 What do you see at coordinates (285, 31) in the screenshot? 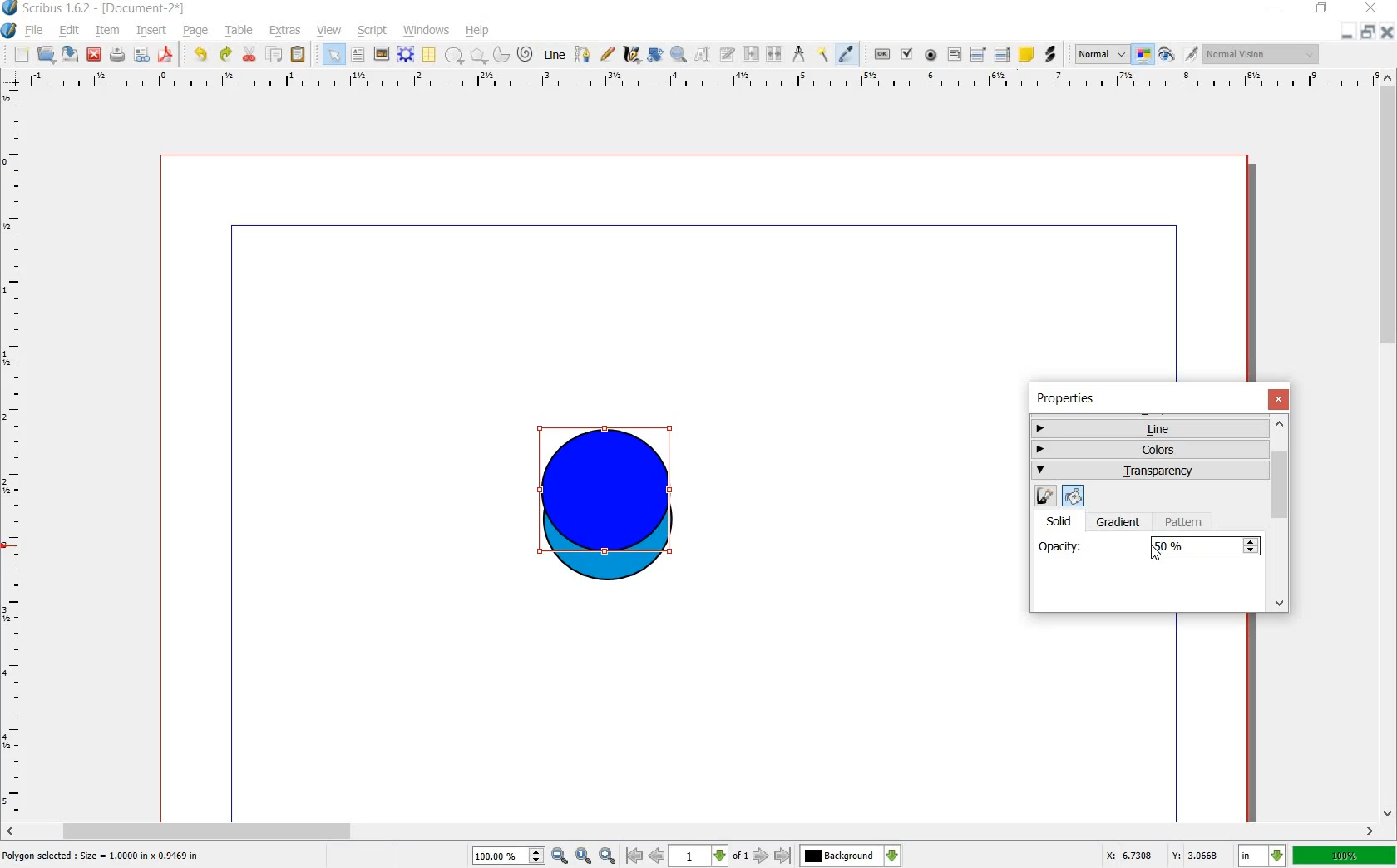
I see `extras` at bounding box center [285, 31].